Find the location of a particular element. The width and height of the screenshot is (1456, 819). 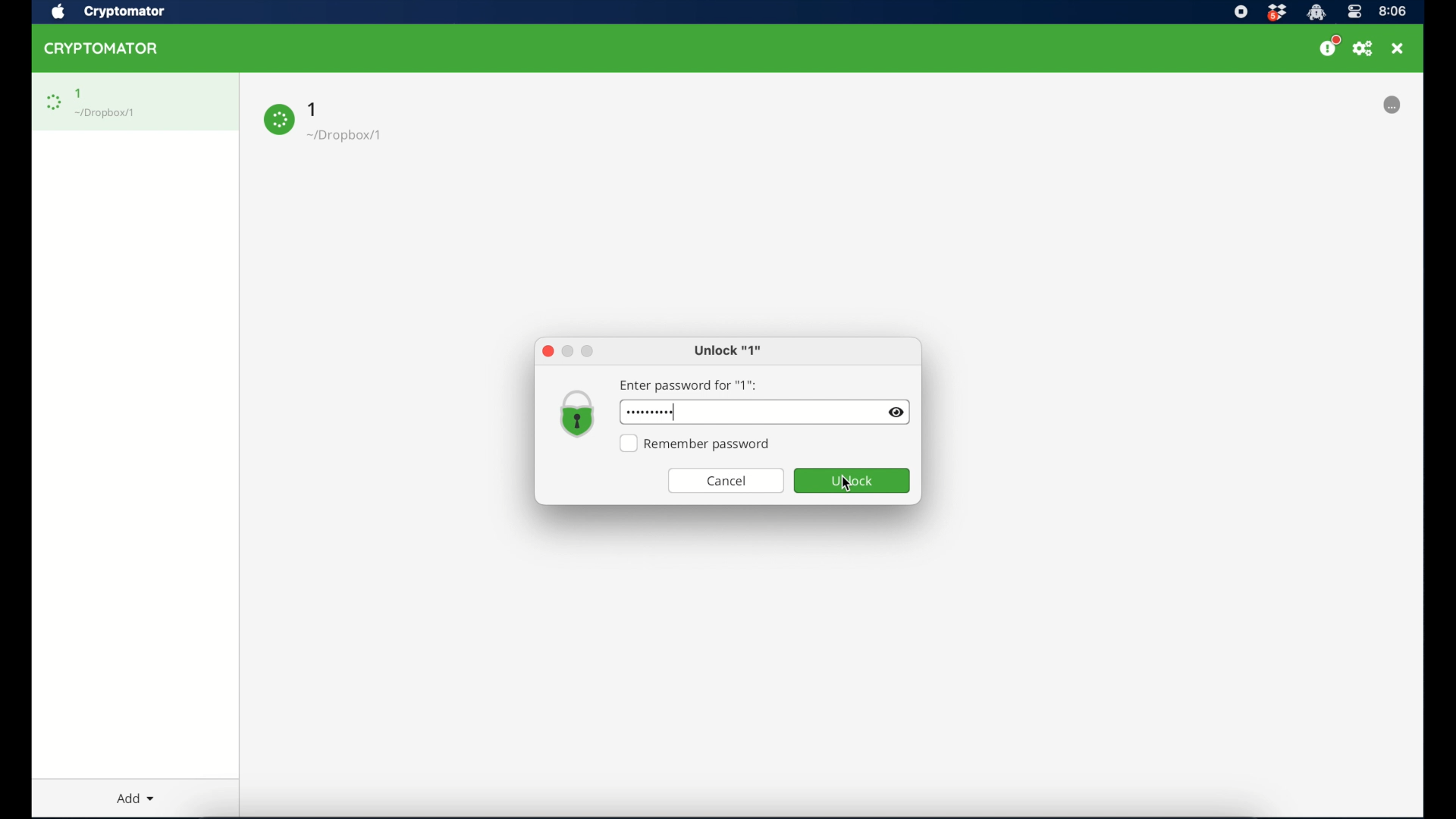

invisibility icon is located at coordinates (897, 413).